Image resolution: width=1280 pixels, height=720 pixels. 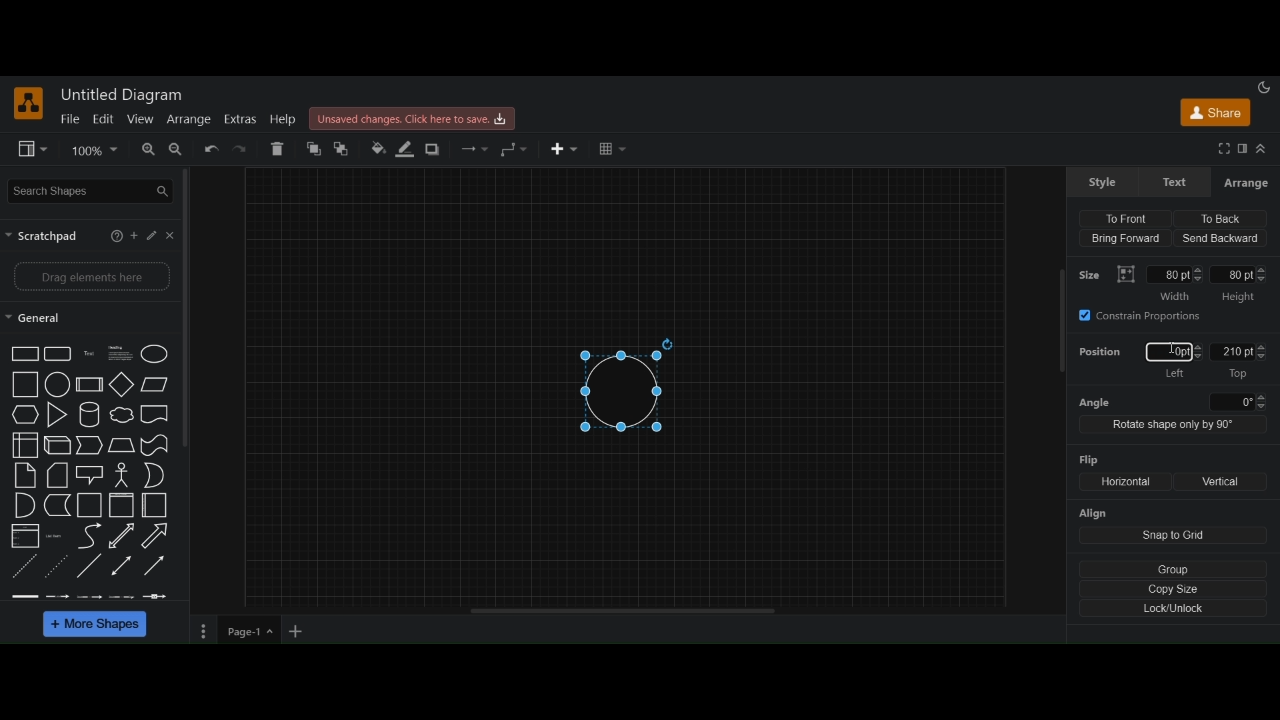 I want to click on curve up arrow, so click(x=156, y=536).